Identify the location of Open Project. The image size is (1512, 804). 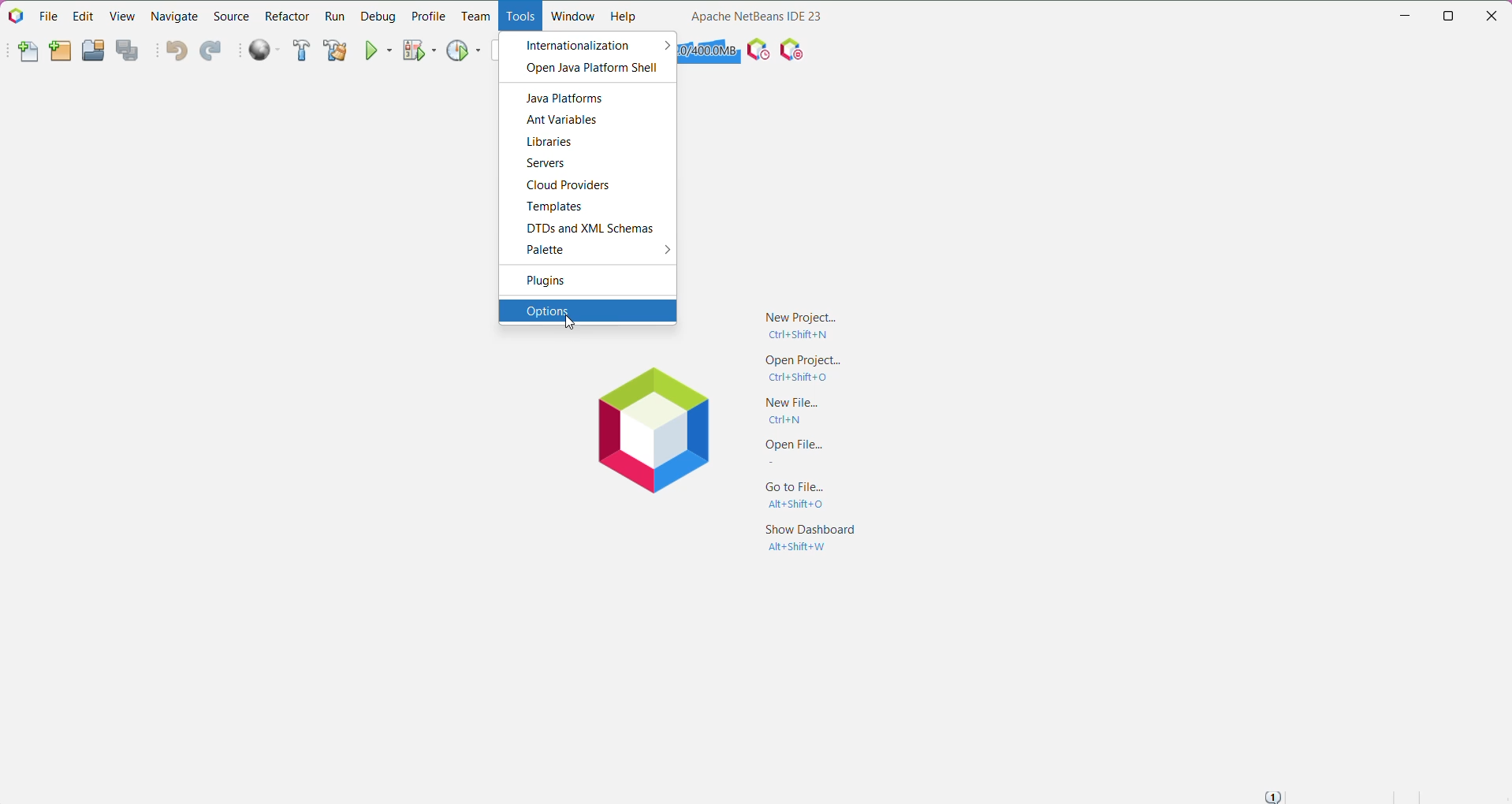
(92, 50).